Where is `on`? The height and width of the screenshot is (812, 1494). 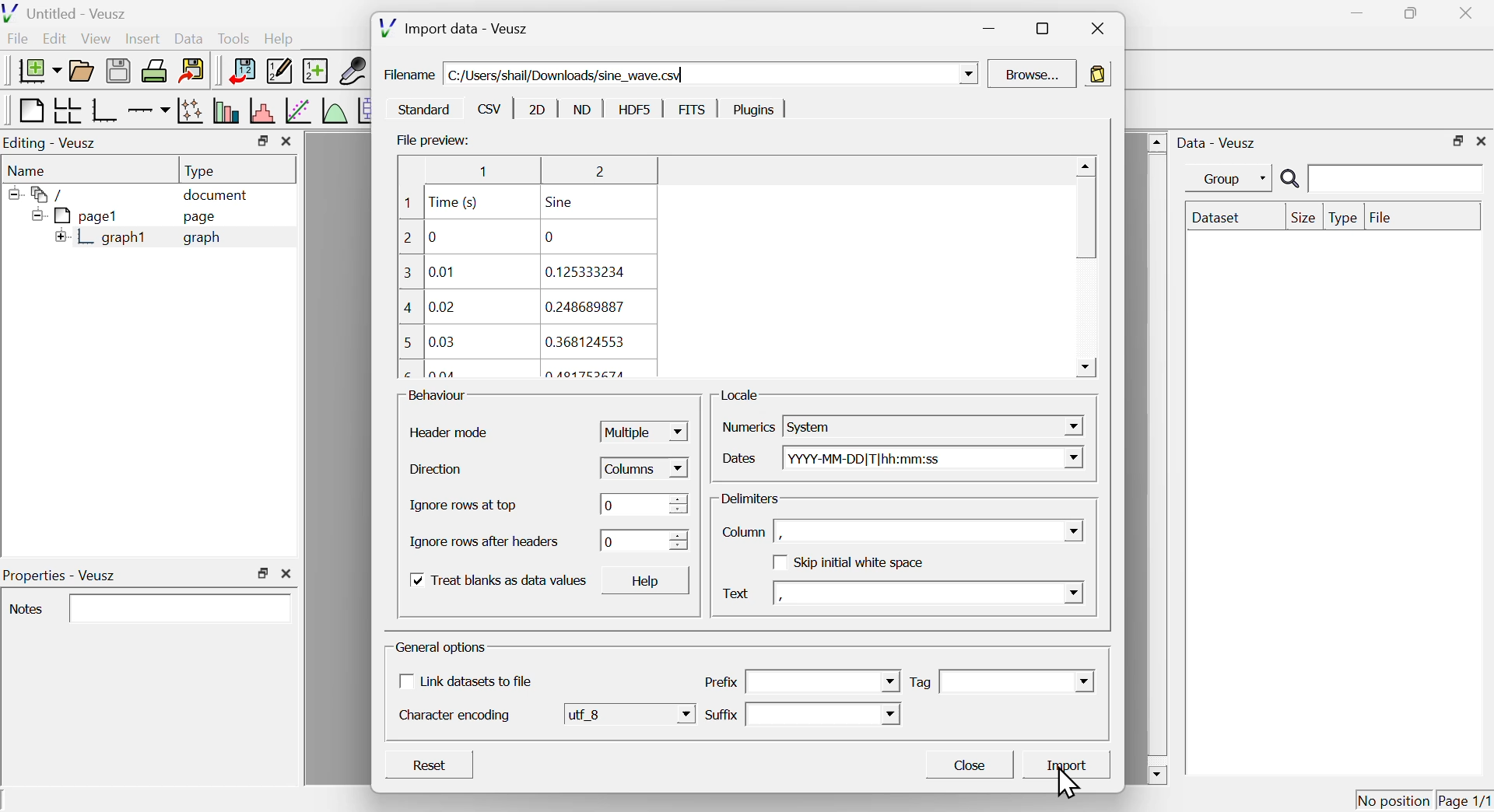 on is located at coordinates (416, 581).